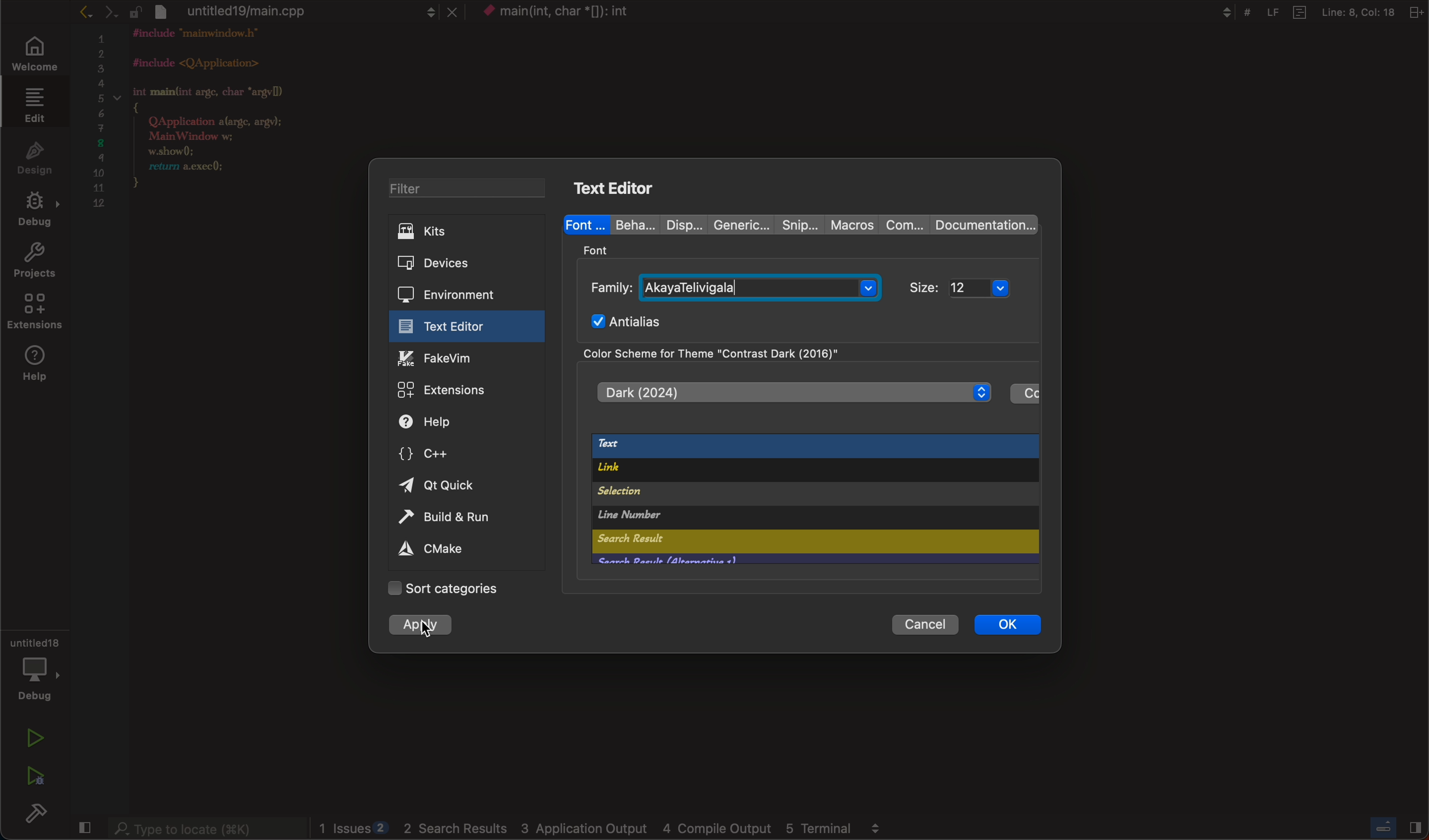 The height and width of the screenshot is (840, 1429). I want to click on line number, so click(754, 517).